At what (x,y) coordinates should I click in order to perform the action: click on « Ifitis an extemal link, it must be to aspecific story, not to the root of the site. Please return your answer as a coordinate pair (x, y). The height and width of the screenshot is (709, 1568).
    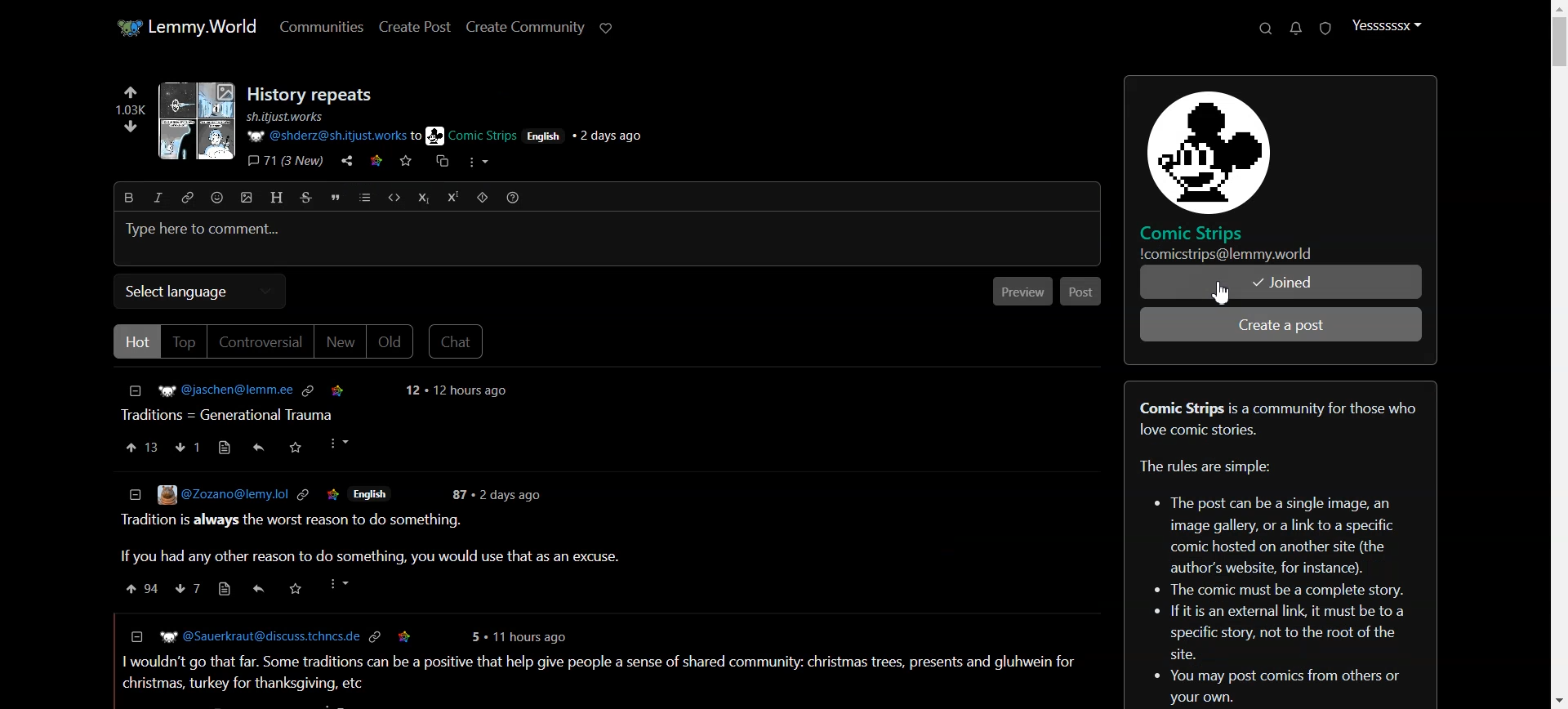
    Looking at the image, I should click on (1285, 633).